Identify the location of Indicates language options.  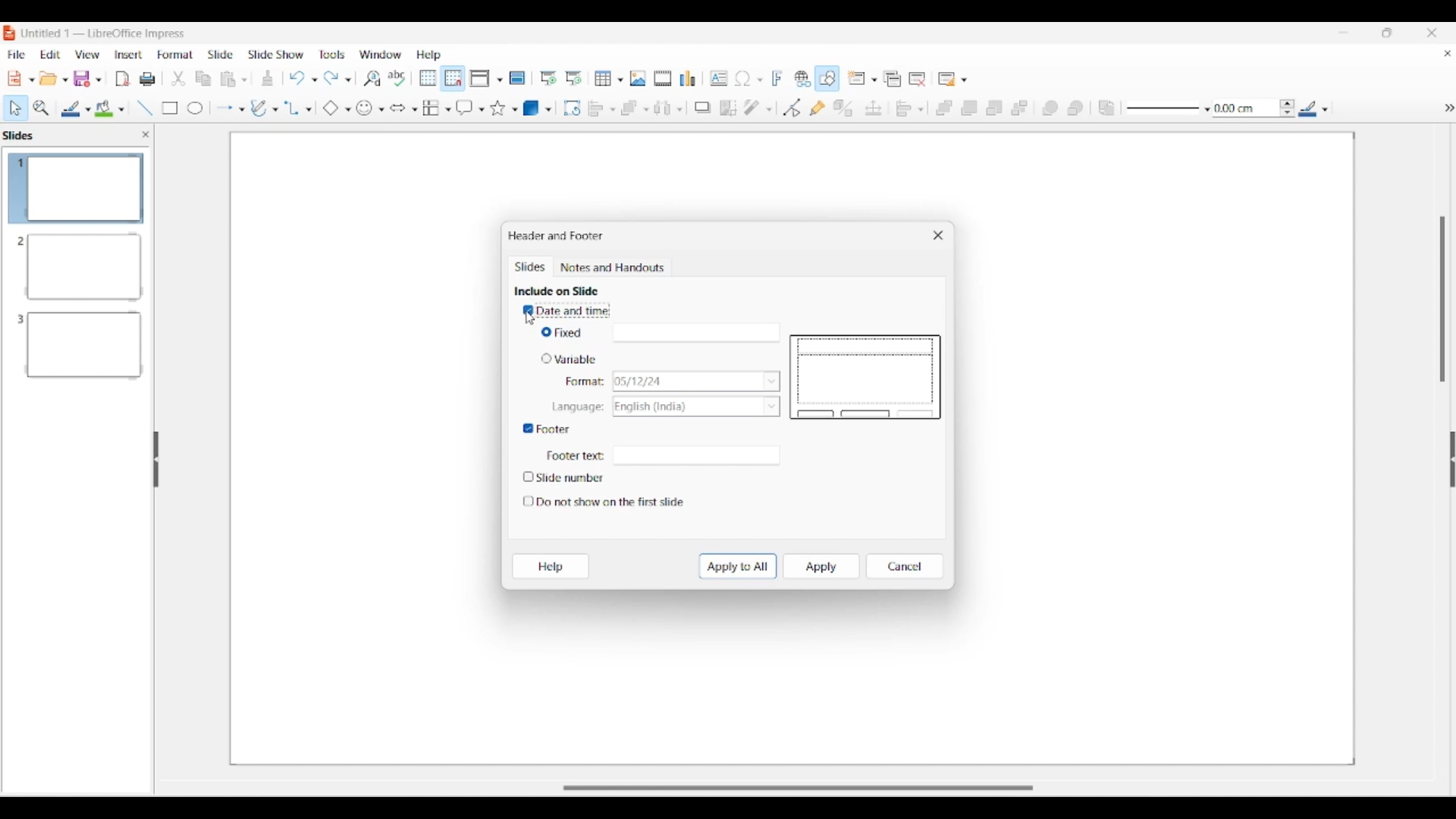
(576, 408).